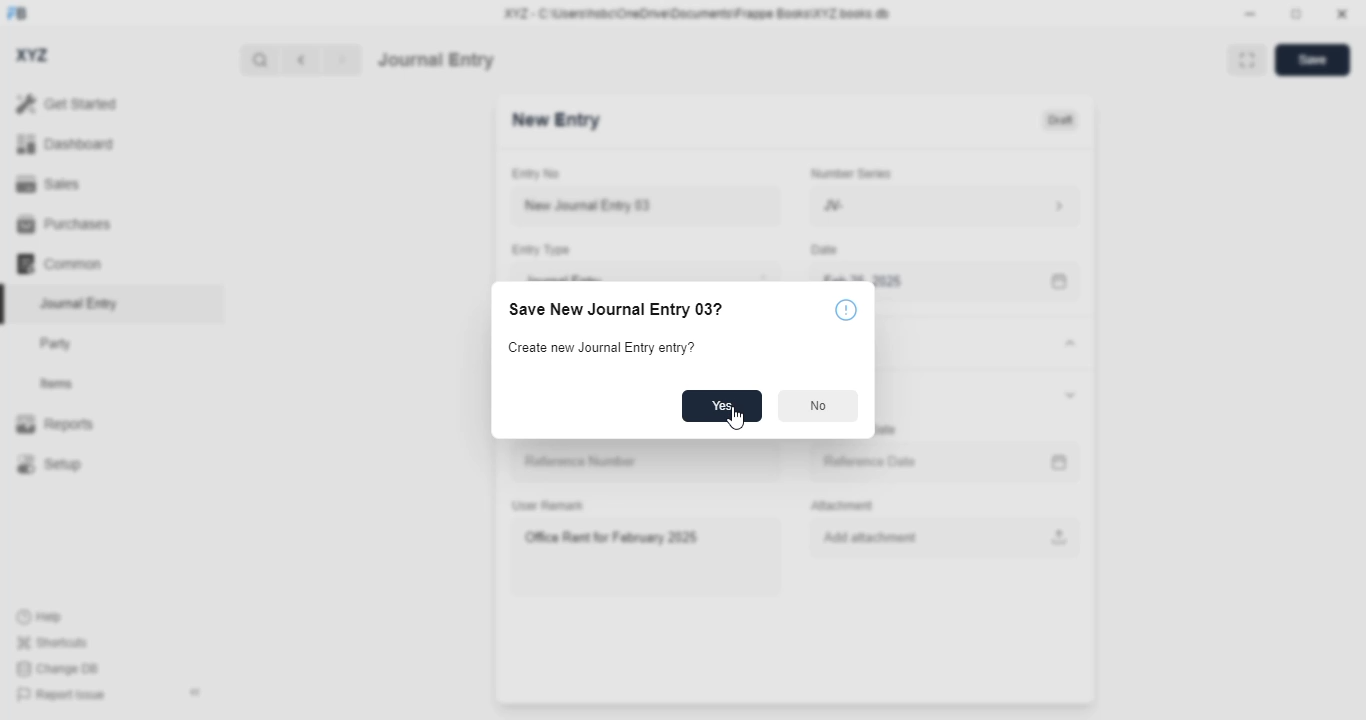  I want to click on cursor, so click(736, 419).